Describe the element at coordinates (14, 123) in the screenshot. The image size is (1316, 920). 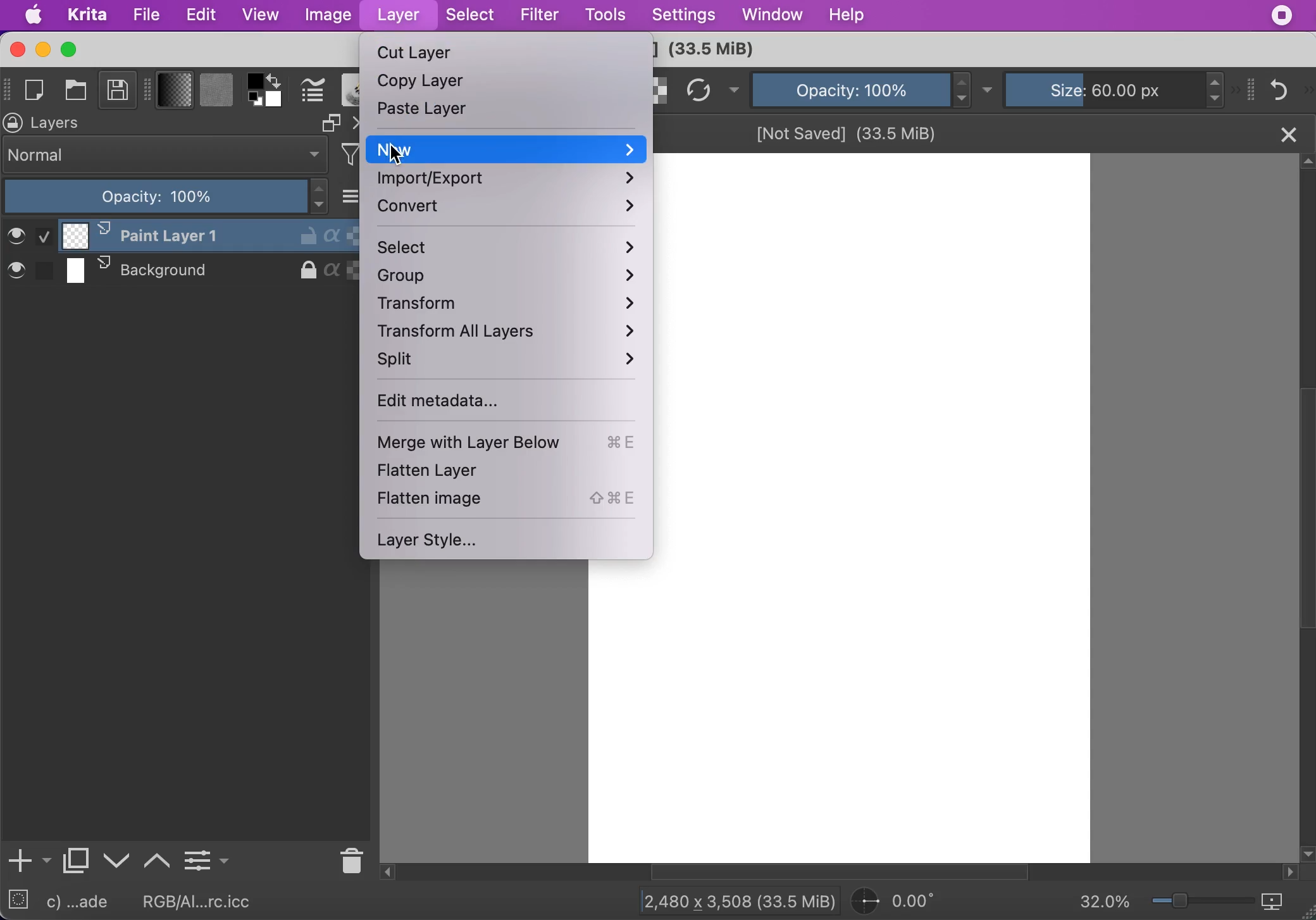
I see `lock docker` at that location.